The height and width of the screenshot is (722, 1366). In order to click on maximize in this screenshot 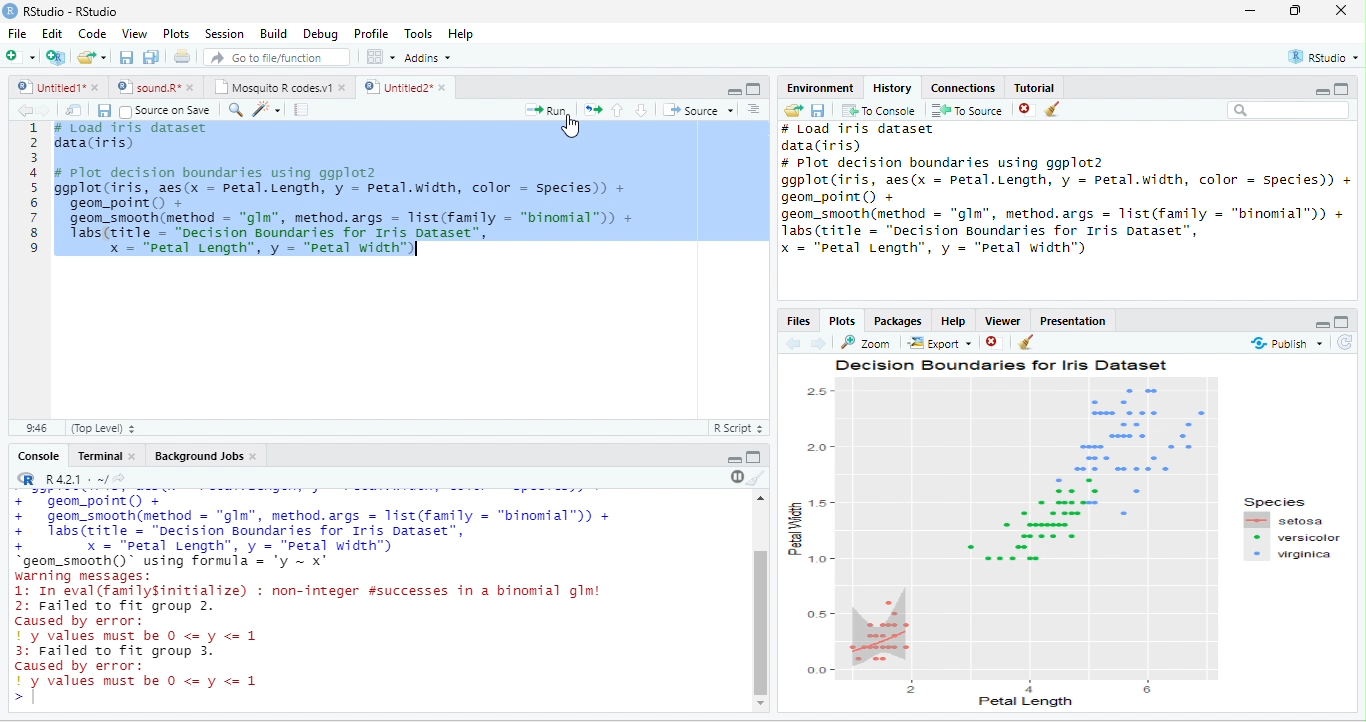, I will do `click(1342, 88)`.